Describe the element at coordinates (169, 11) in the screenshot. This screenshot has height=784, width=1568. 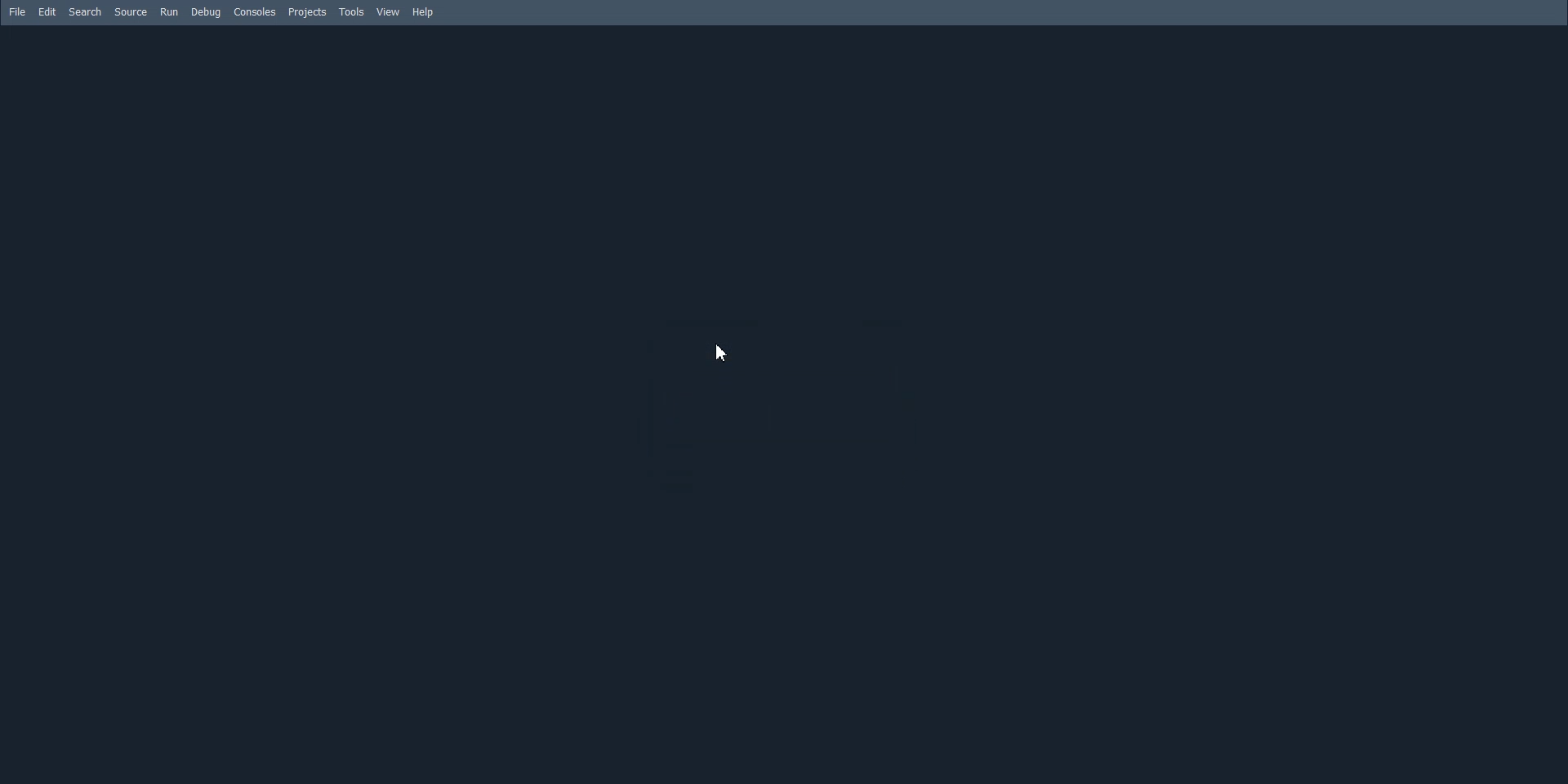
I see `Run` at that location.